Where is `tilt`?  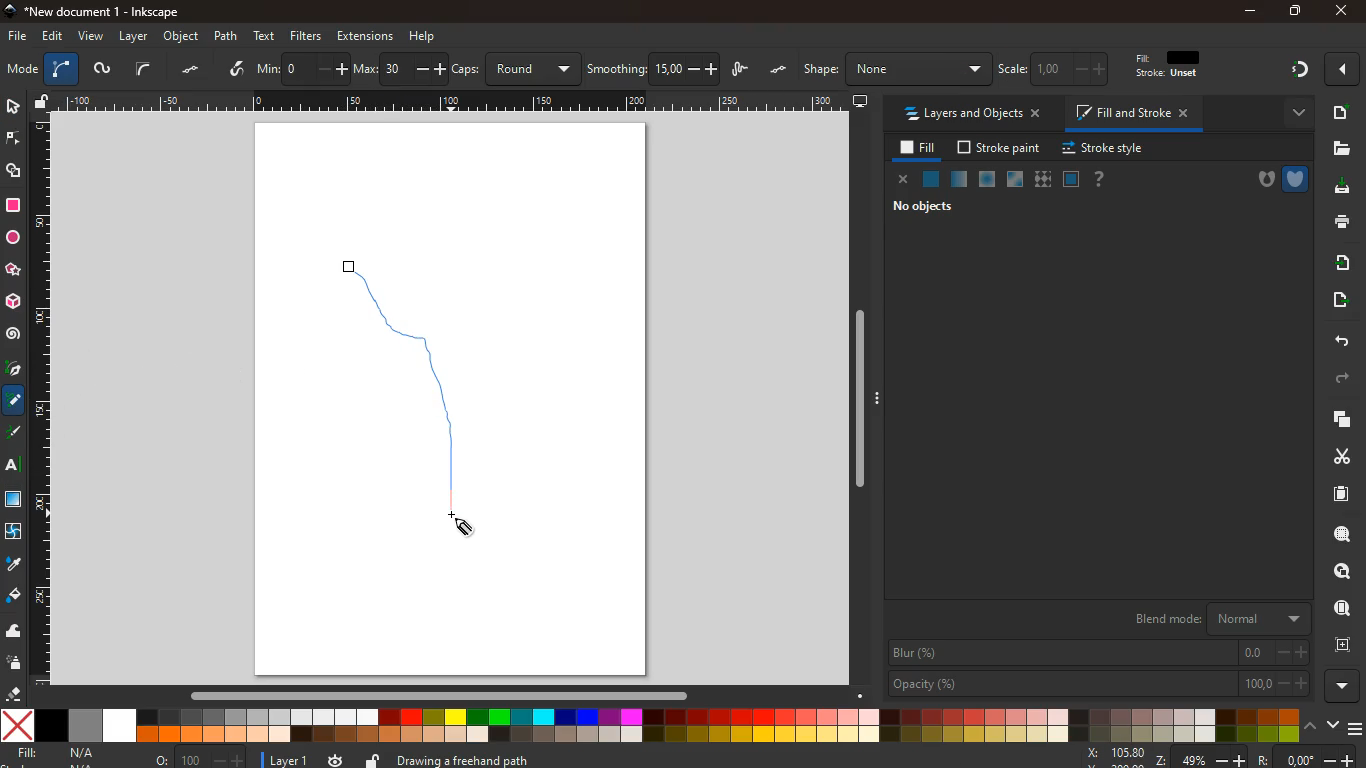 tilt is located at coordinates (234, 69).